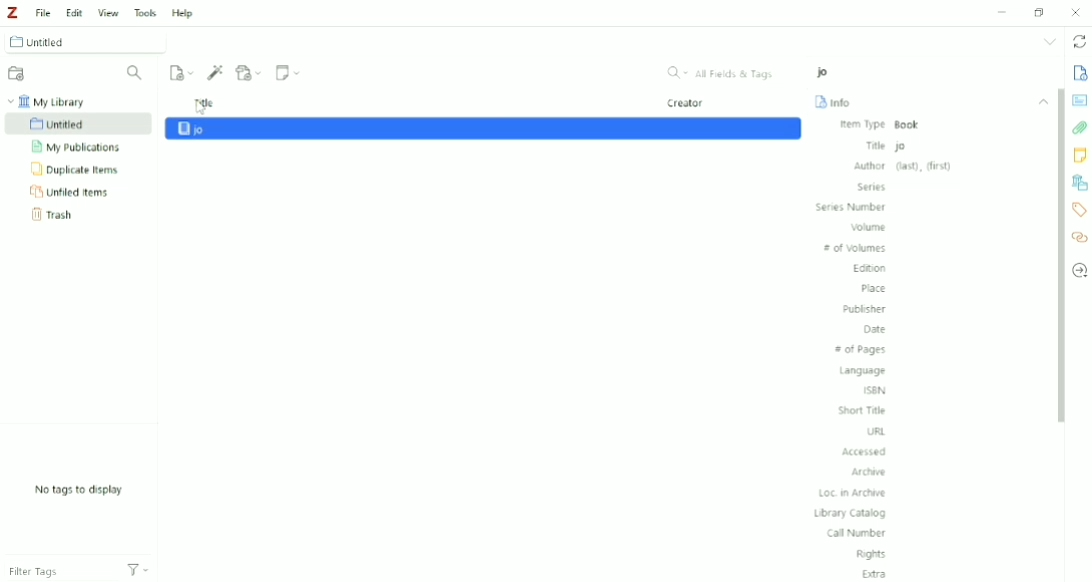 The image size is (1092, 582). I want to click on Tools, so click(144, 11).